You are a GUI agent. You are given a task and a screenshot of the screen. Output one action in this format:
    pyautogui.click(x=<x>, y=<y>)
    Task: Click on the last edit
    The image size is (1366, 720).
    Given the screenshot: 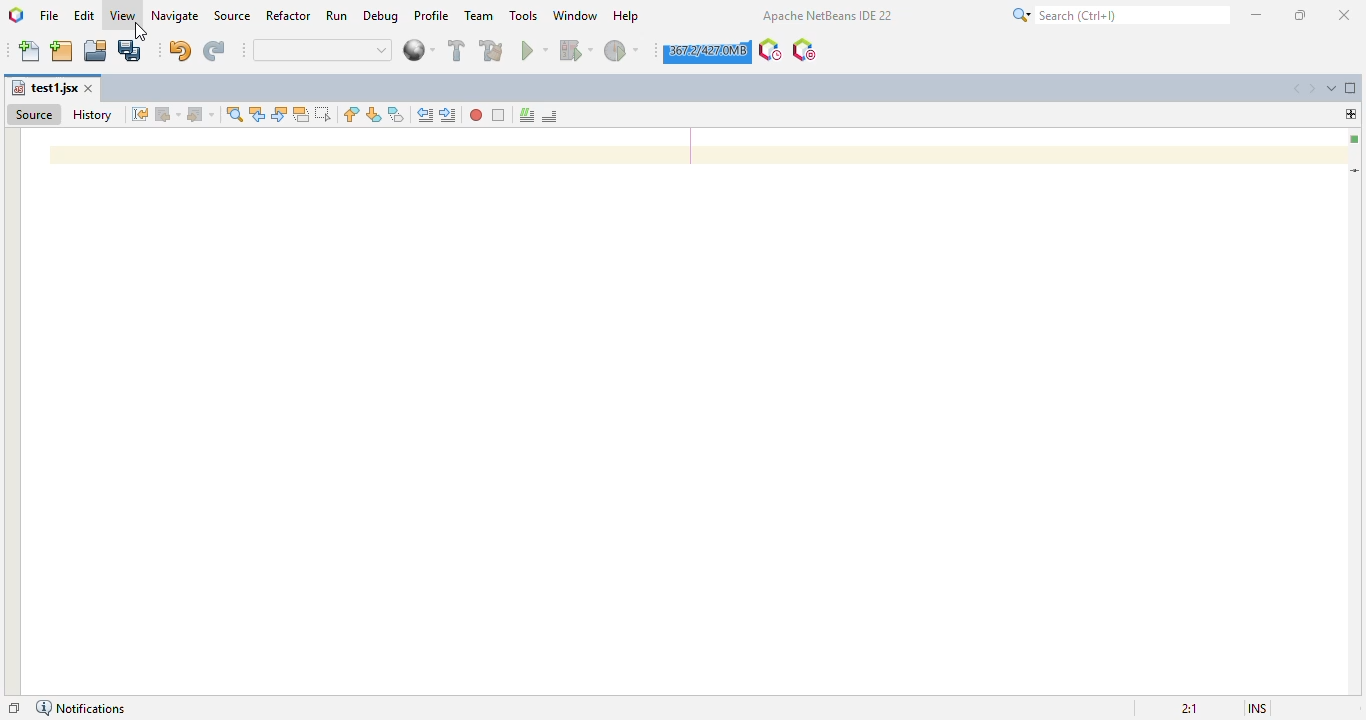 What is the action you would take?
    pyautogui.click(x=139, y=114)
    